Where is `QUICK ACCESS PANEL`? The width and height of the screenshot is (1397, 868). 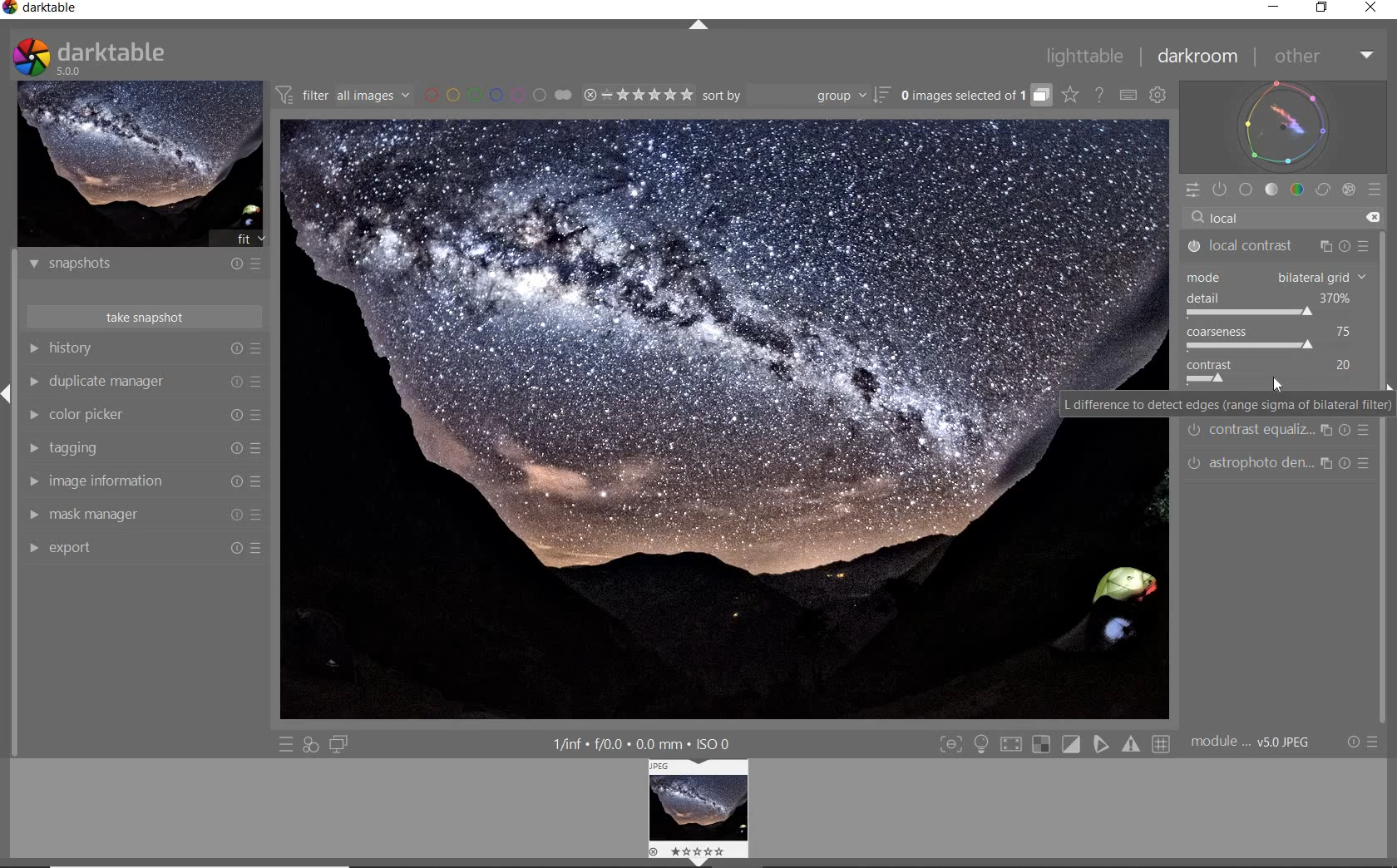 QUICK ACCESS PANEL is located at coordinates (1195, 190).